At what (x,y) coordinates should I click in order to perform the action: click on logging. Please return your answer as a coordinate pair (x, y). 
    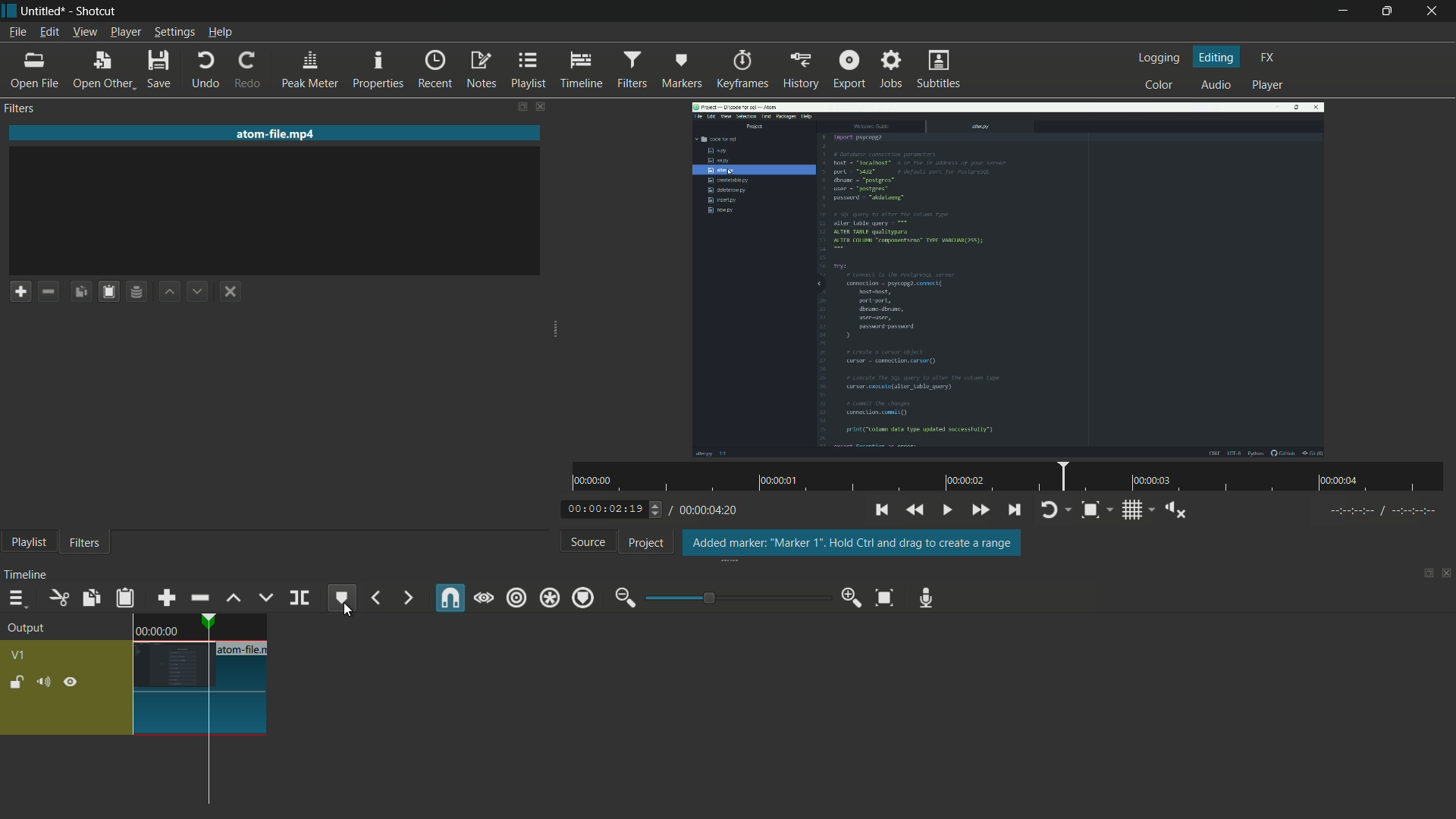
    Looking at the image, I should click on (1161, 58).